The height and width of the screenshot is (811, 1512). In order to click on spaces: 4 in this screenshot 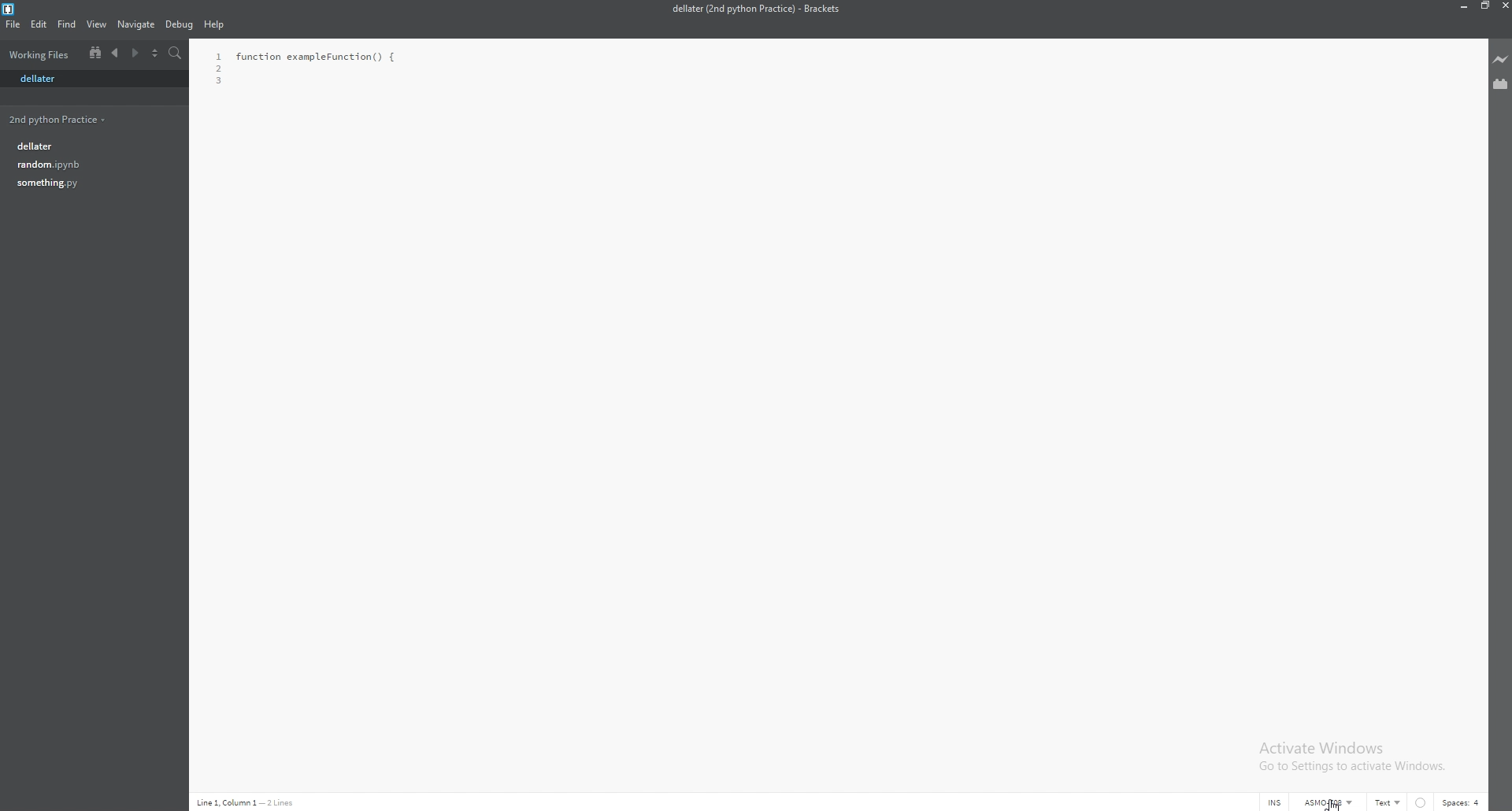, I will do `click(1462, 802)`.